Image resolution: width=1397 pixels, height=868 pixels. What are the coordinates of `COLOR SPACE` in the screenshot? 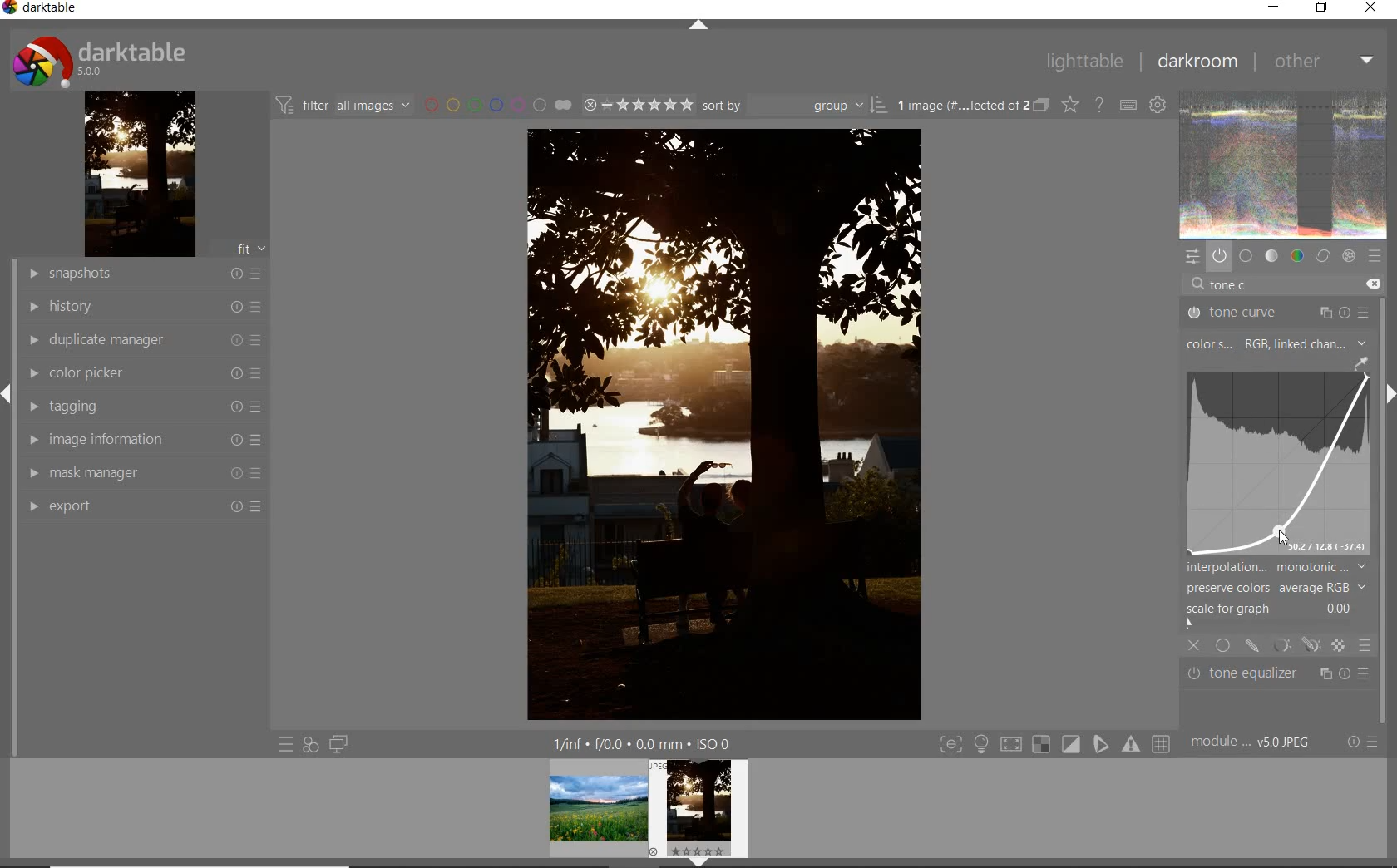 It's located at (1211, 345).